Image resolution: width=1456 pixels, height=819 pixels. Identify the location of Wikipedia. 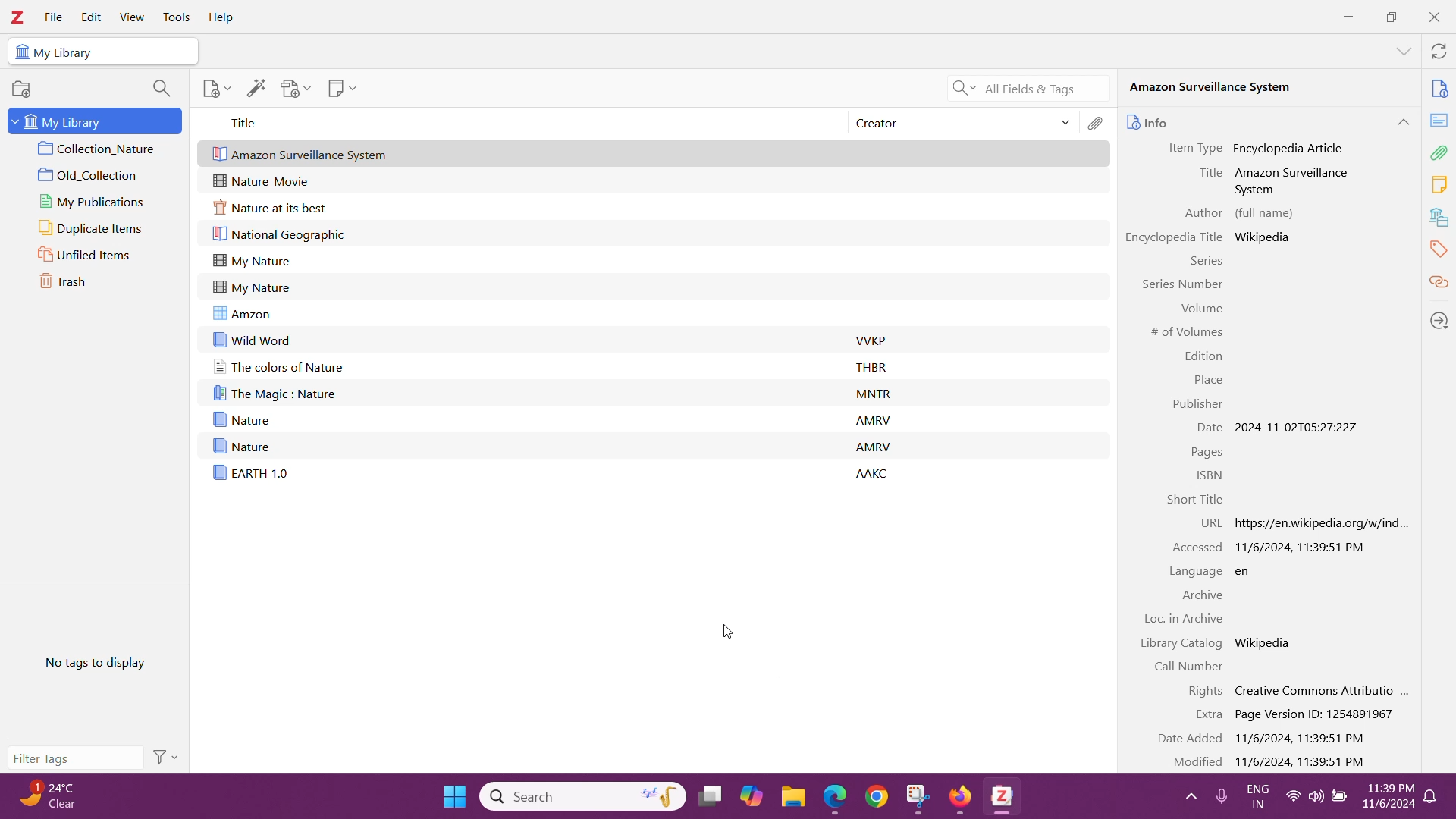
(1275, 237).